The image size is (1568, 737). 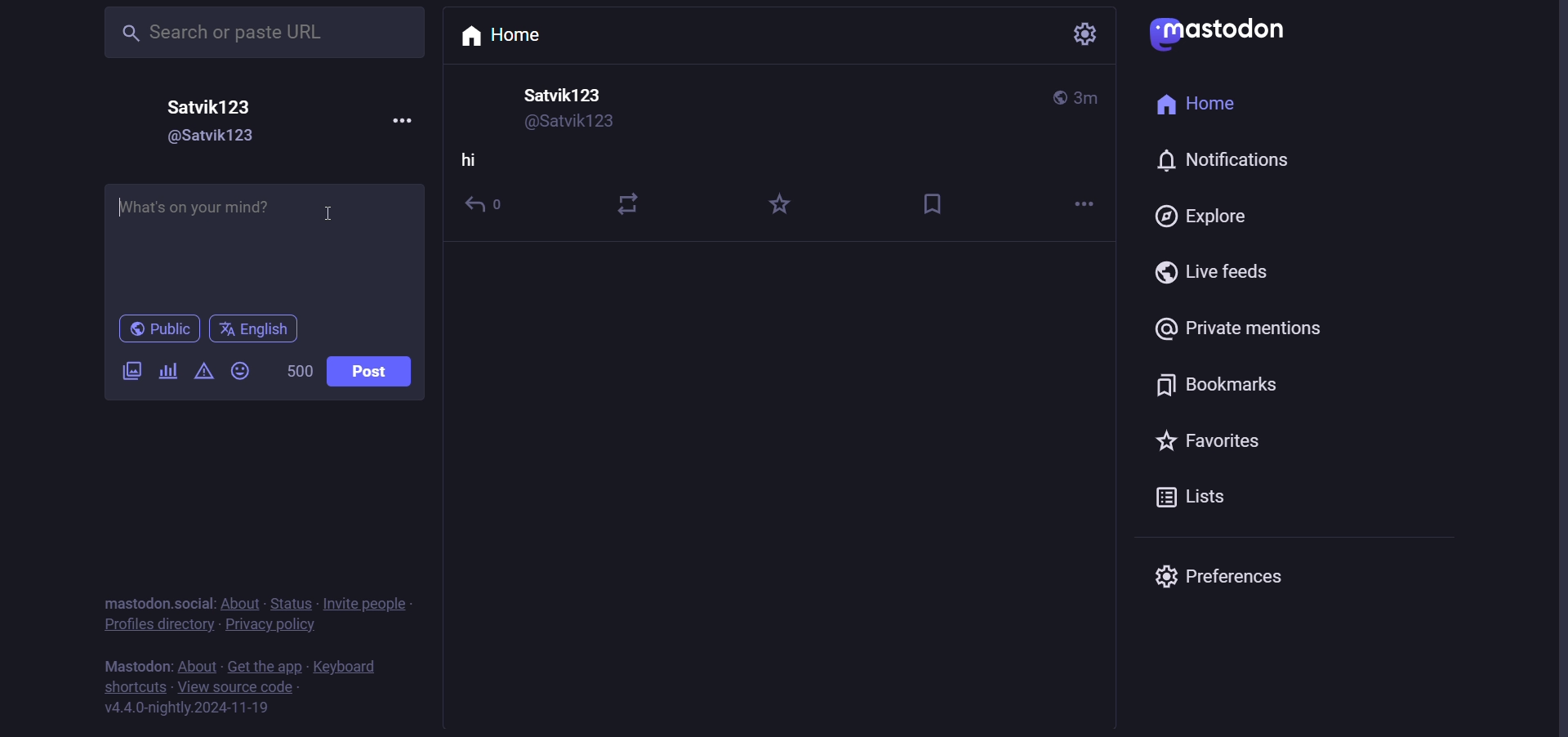 I want to click on poll, so click(x=165, y=370).